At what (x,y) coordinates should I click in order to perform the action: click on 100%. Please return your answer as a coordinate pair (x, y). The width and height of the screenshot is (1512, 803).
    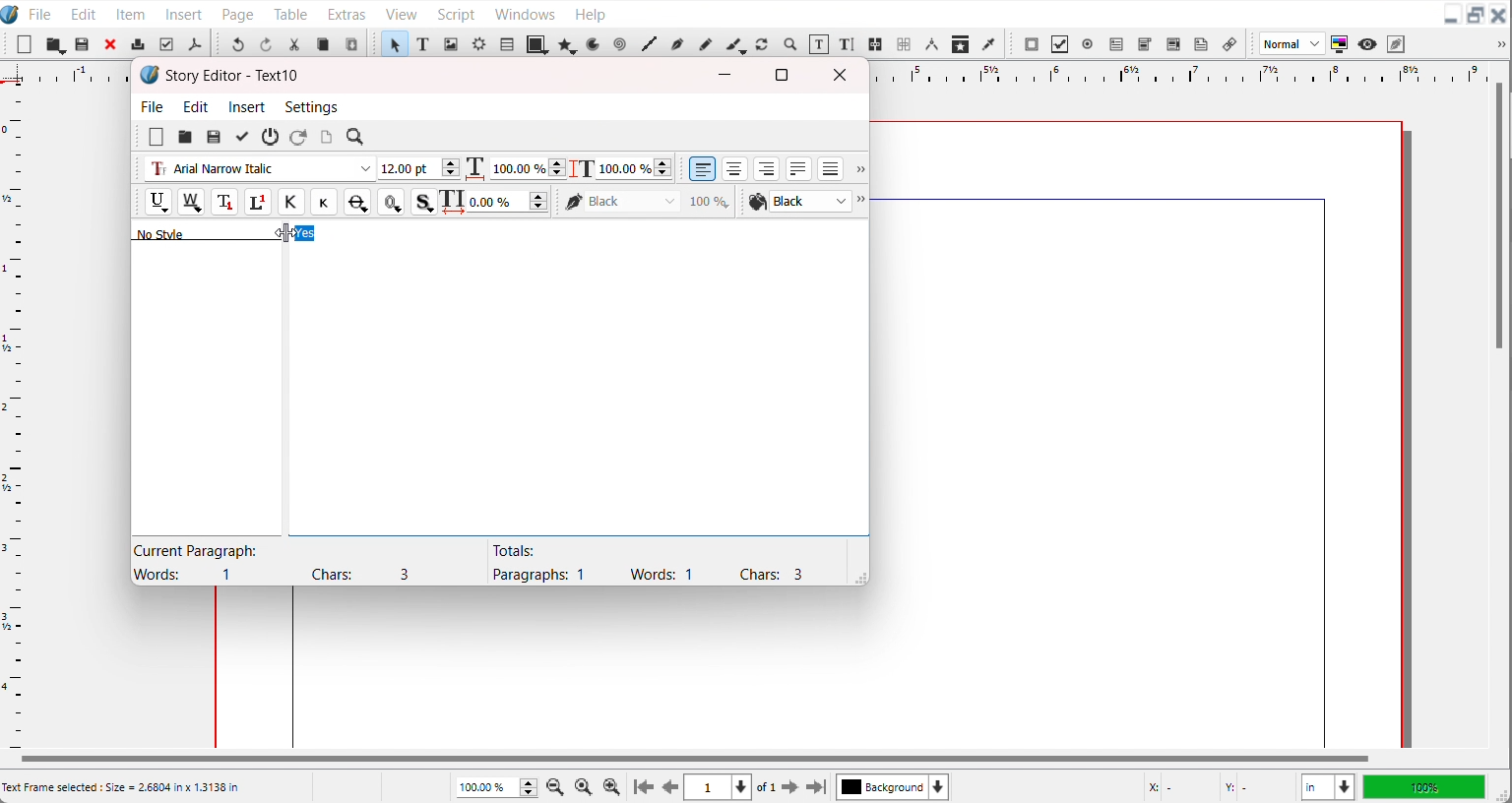
    Looking at the image, I should click on (1423, 786).